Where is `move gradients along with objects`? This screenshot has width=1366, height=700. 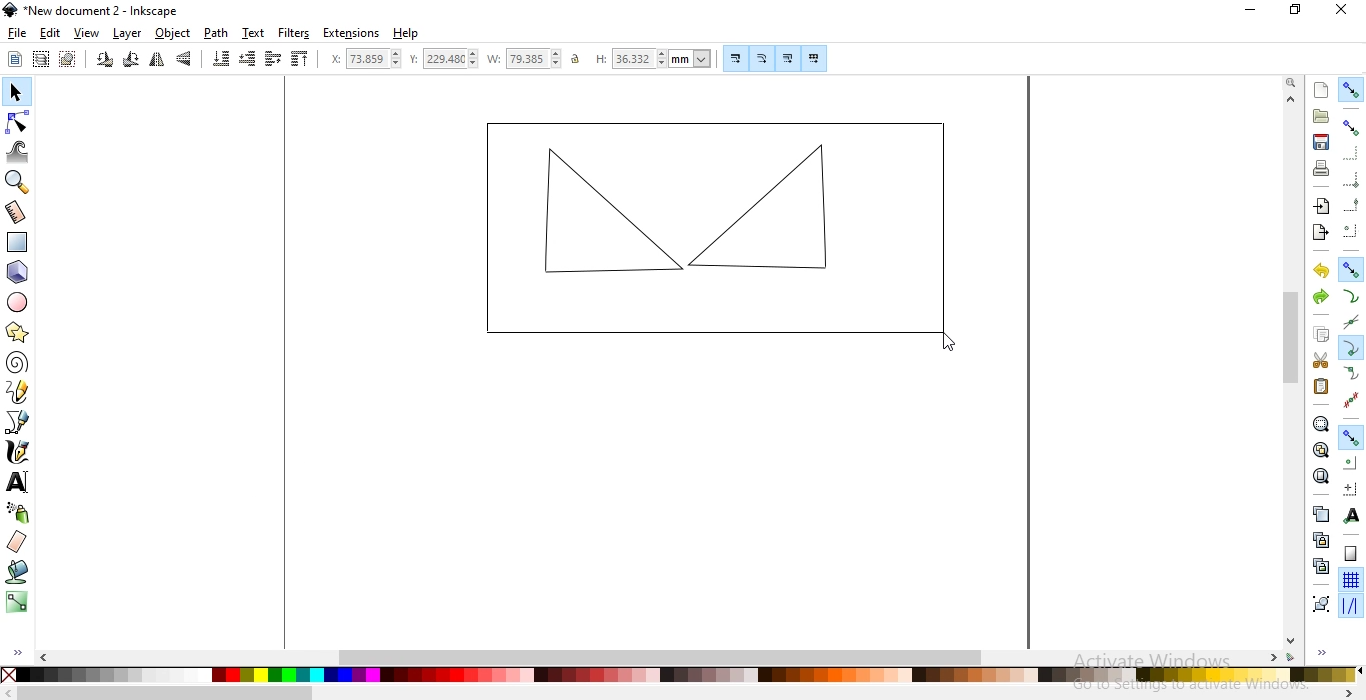 move gradients along with objects is located at coordinates (785, 58).